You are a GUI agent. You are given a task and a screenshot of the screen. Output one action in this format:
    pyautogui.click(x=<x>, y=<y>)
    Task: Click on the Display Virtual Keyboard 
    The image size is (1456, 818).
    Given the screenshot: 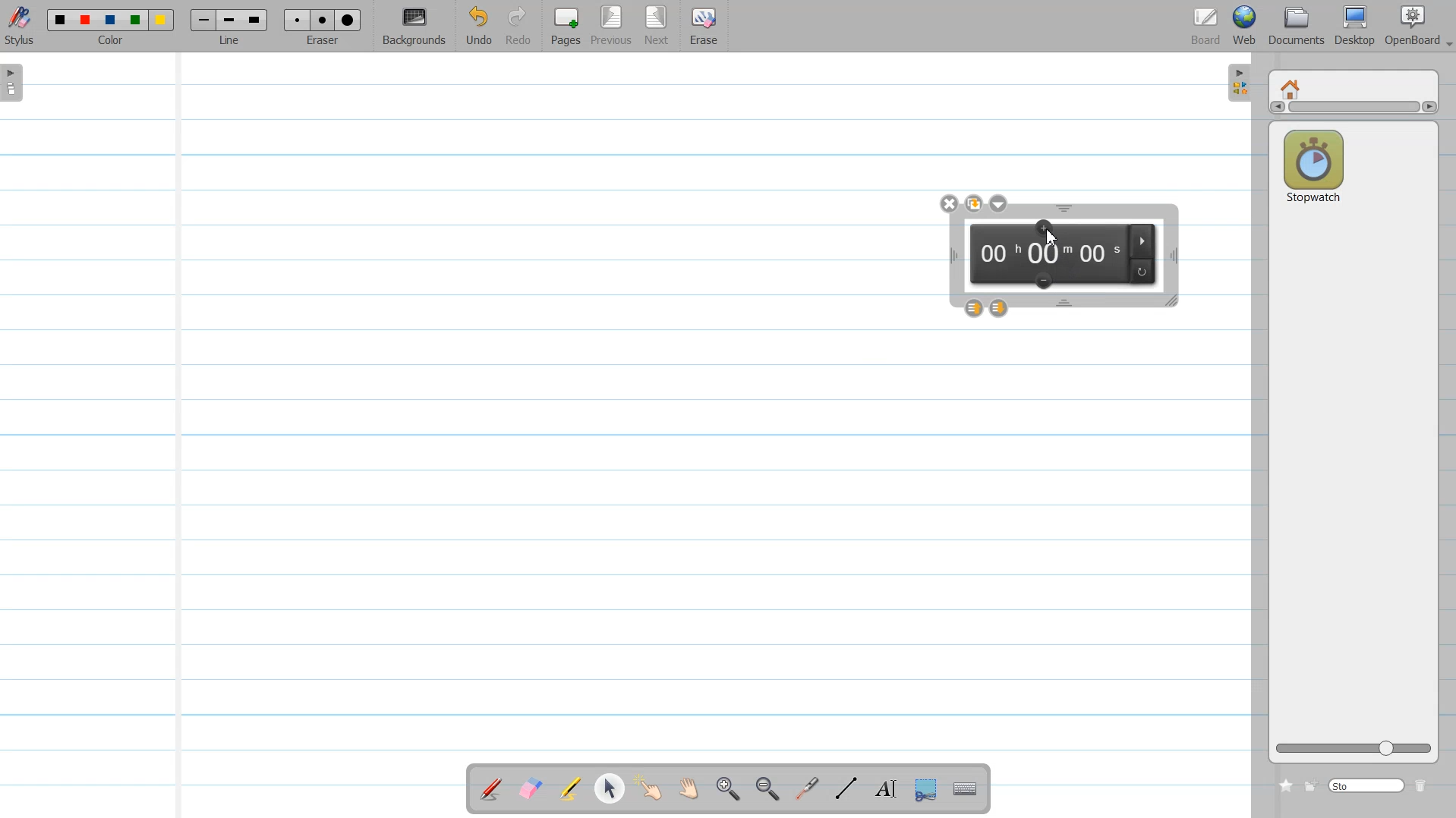 What is the action you would take?
    pyautogui.click(x=967, y=789)
    